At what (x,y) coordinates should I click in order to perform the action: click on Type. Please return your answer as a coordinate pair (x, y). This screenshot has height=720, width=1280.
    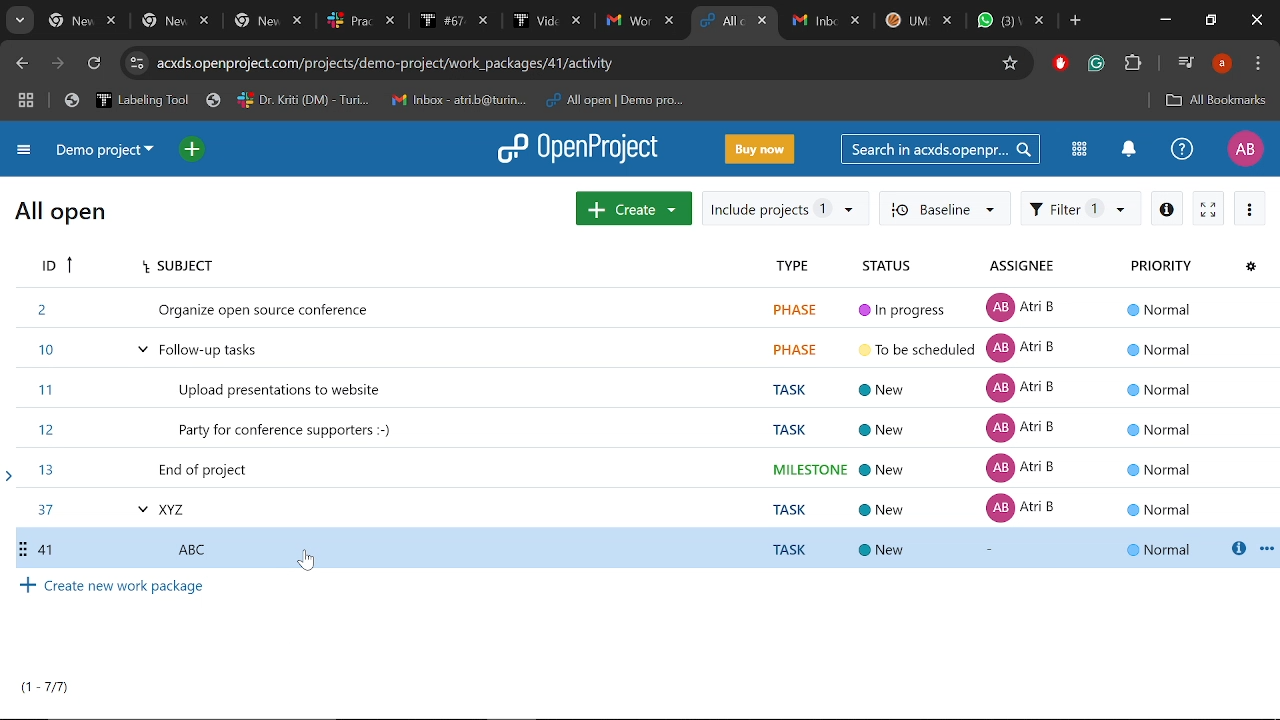
    Looking at the image, I should click on (802, 266).